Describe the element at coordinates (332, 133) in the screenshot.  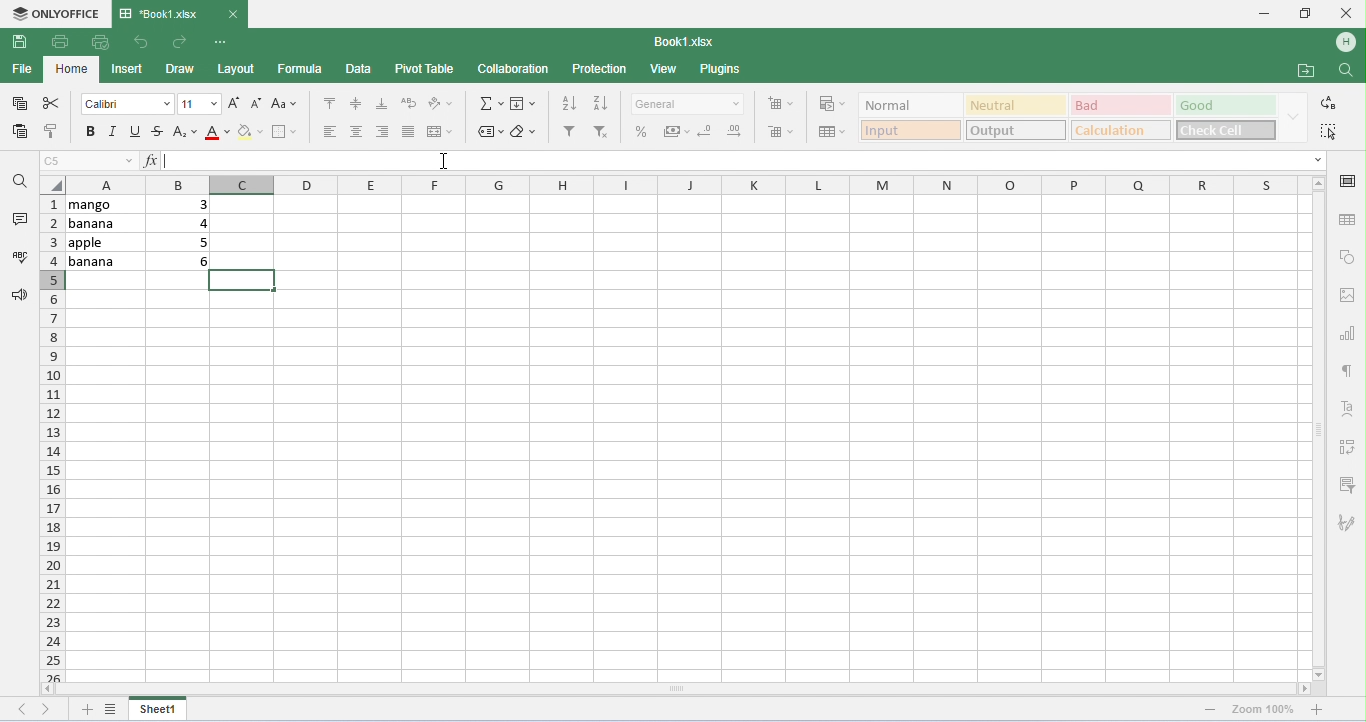
I see `align left` at that location.